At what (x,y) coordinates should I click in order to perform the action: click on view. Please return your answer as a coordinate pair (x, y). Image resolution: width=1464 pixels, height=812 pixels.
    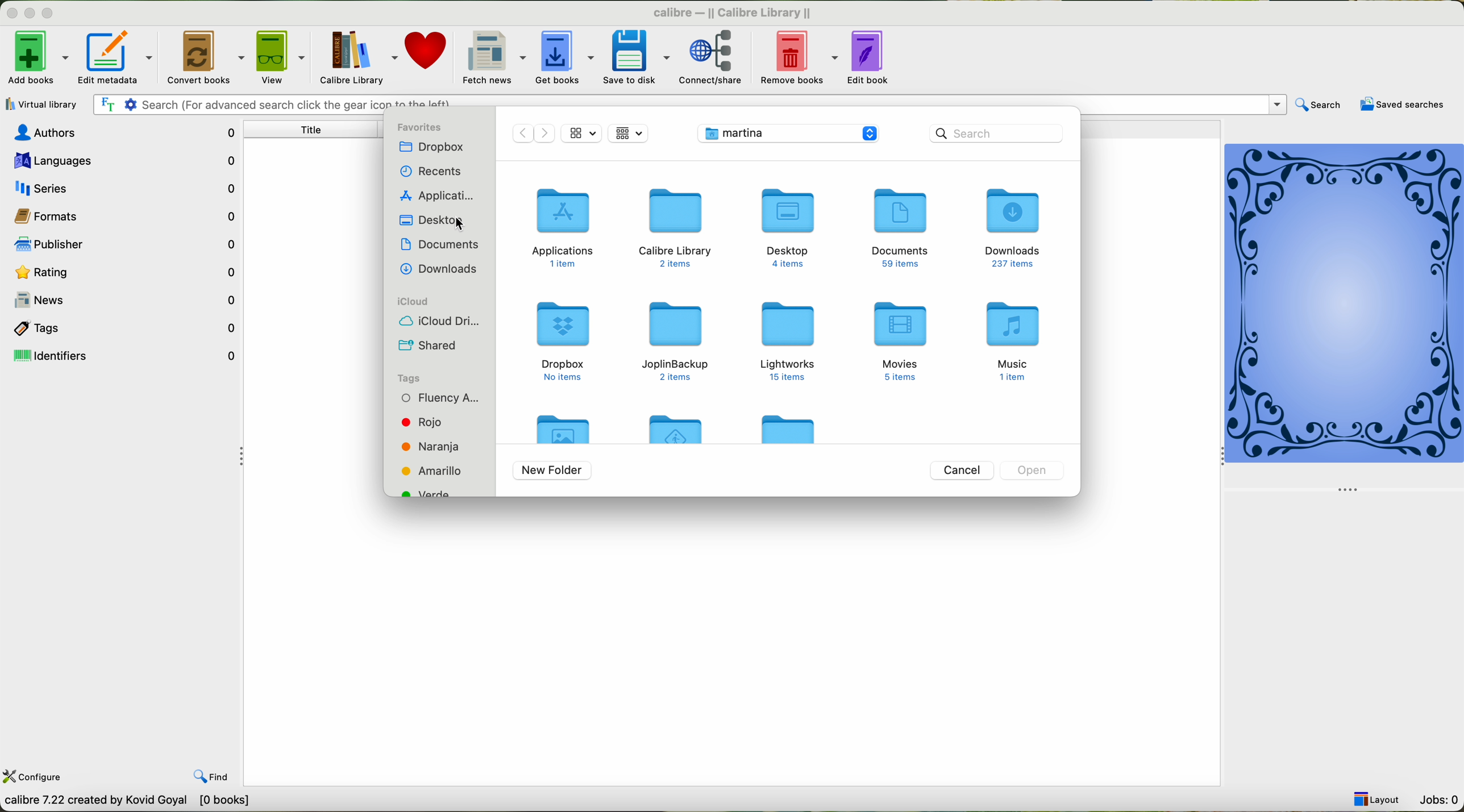
    Looking at the image, I should click on (282, 57).